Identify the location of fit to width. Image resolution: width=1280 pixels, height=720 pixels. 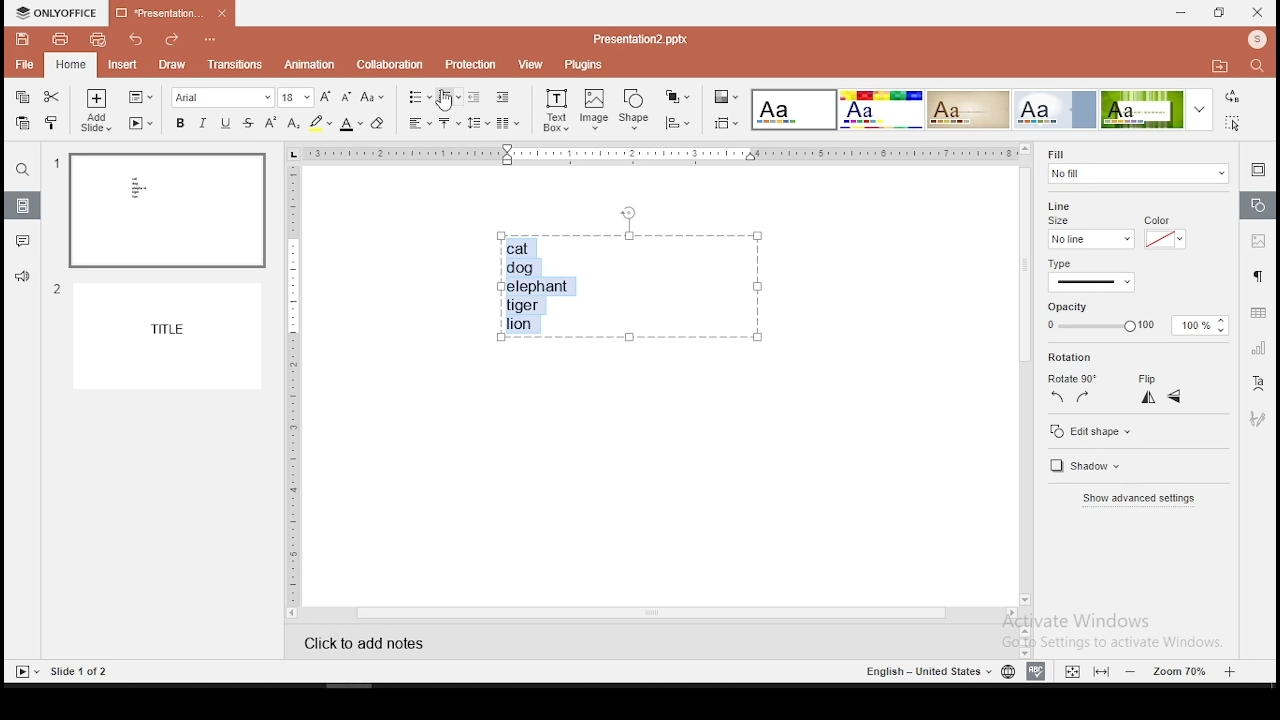
(1069, 670).